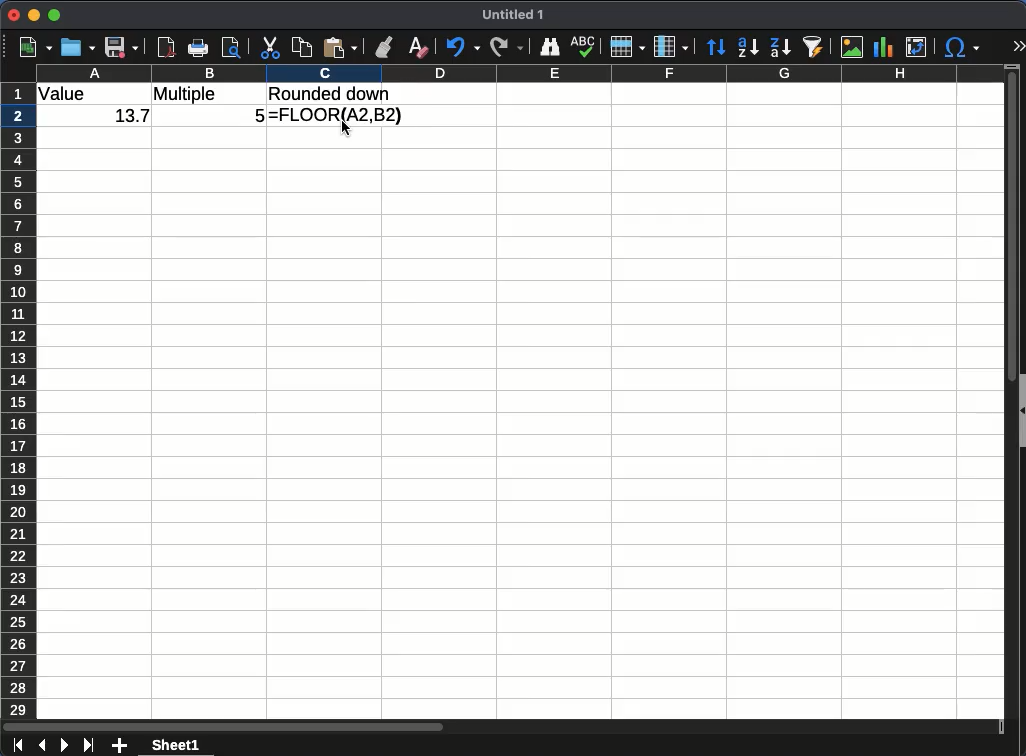 The width and height of the screenshot is (1026, 756). What do you see at coordinates (56, 15) in the screenshot?
I see `maximize` at bounding box center [56, 15].